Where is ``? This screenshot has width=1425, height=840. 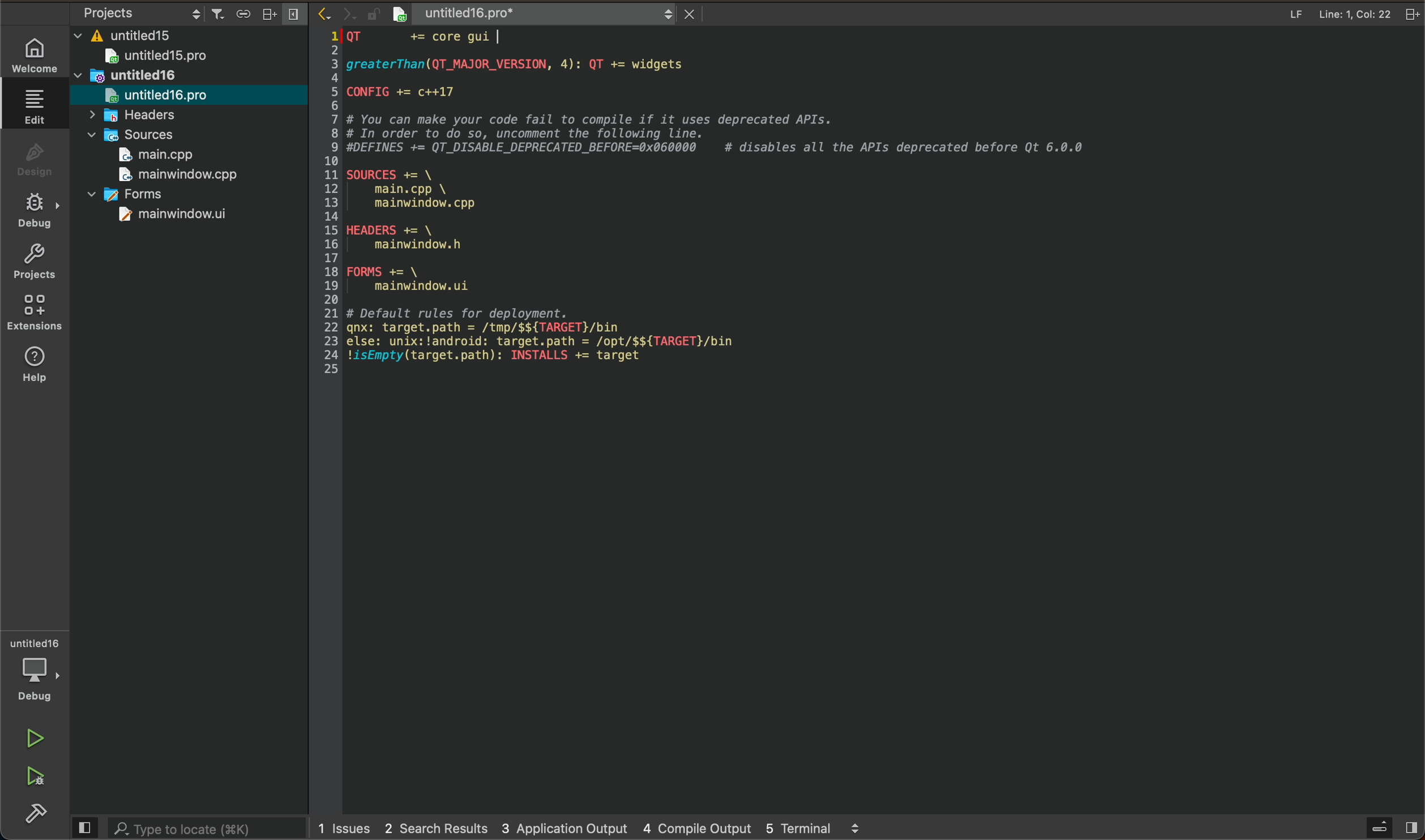  is located at coordinates (1397, 13).